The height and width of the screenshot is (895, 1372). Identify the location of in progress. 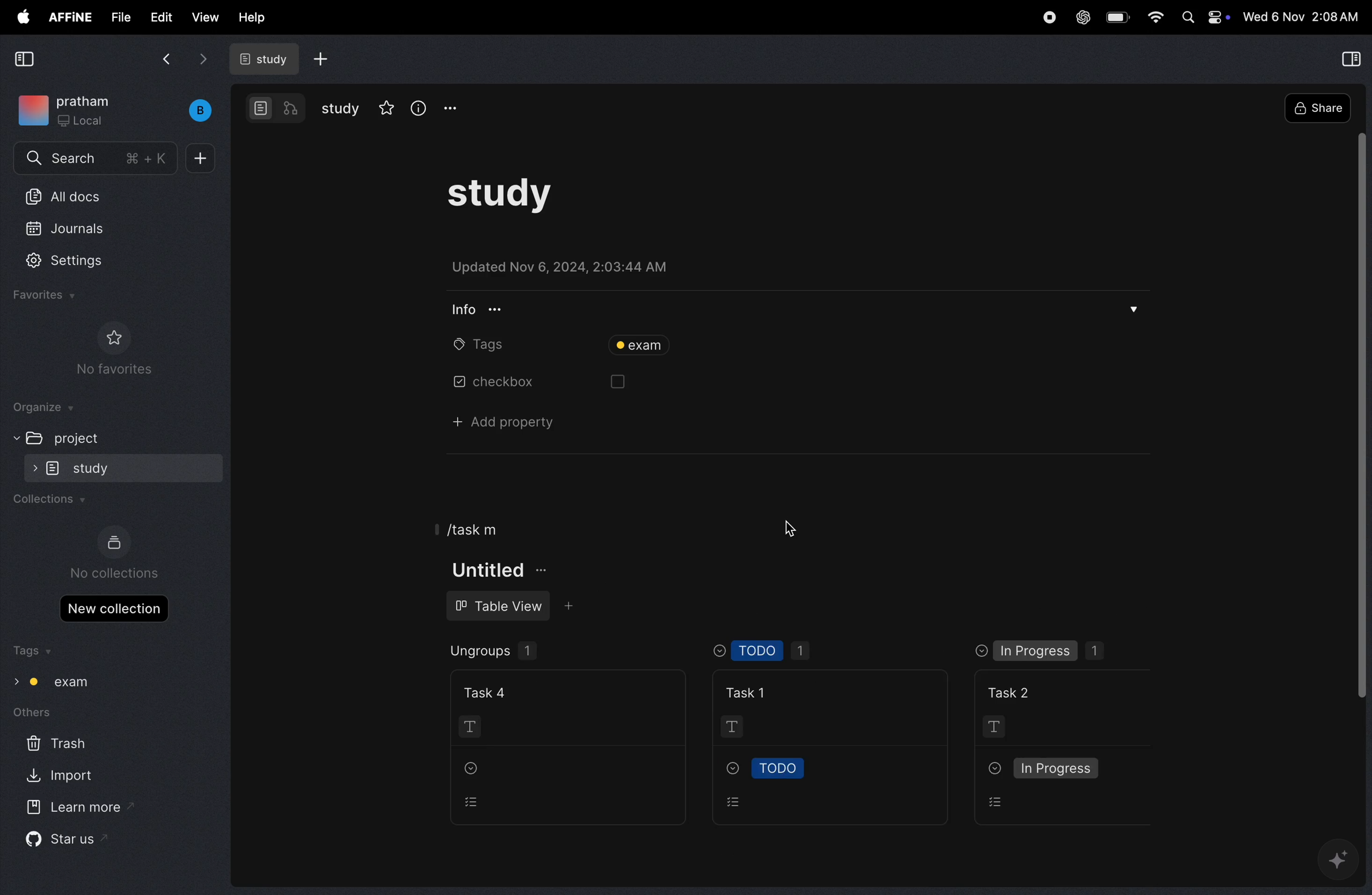
(1039, 648).